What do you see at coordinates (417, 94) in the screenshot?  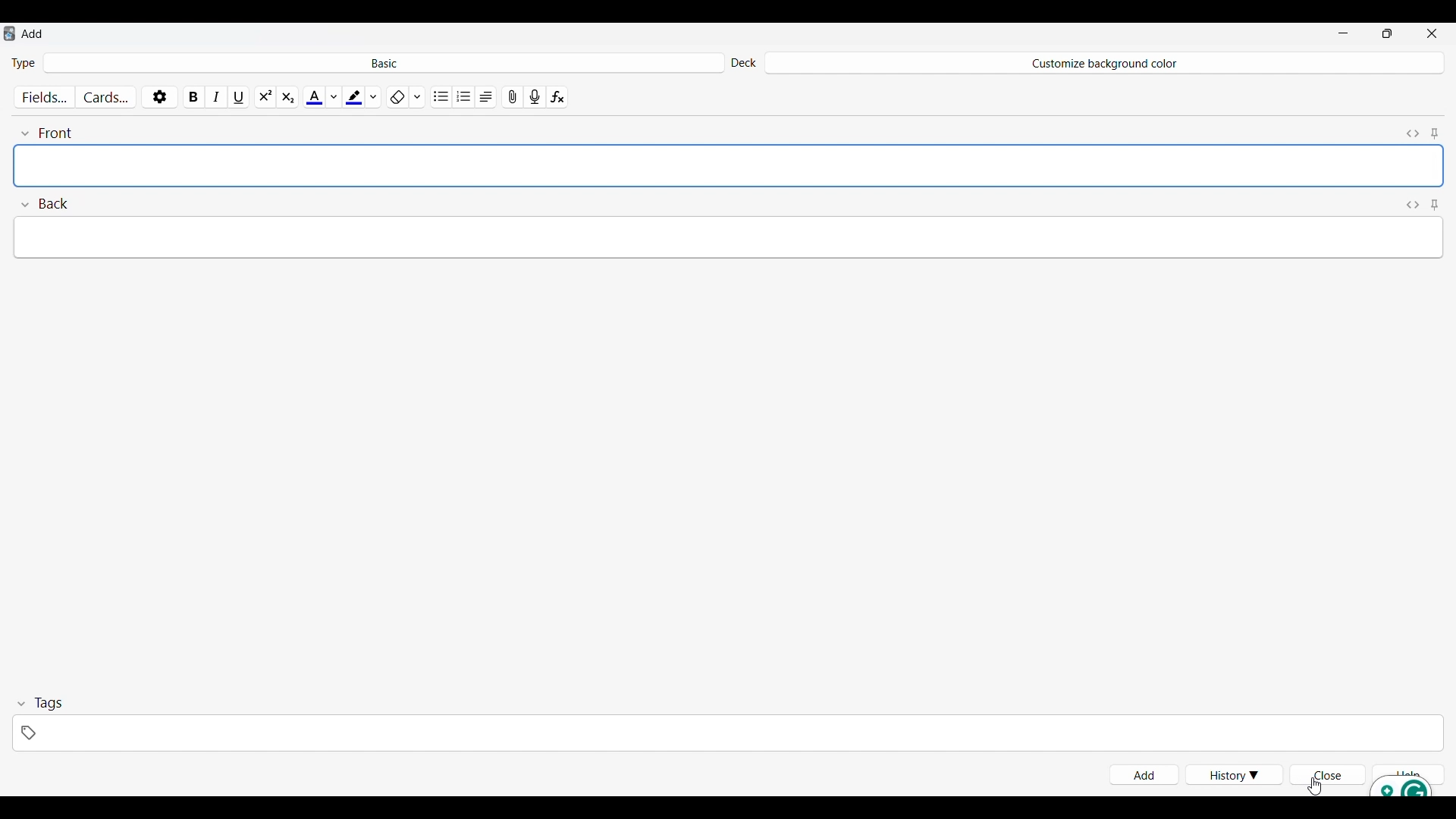 I see `Formatting options` at bounding box center [417, 94].